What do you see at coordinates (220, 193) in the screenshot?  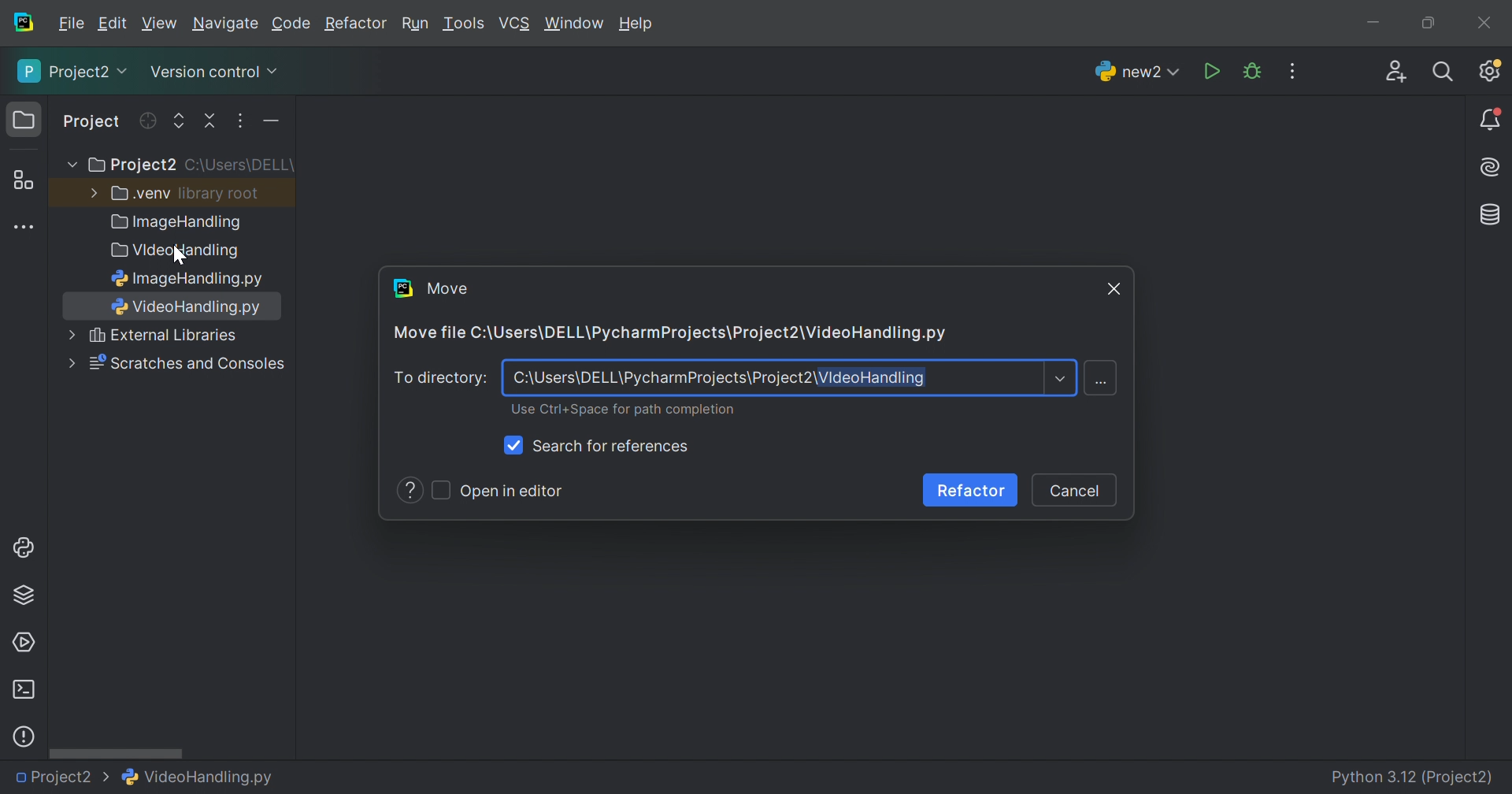 I see `library root` at bounding box center [220, 193].